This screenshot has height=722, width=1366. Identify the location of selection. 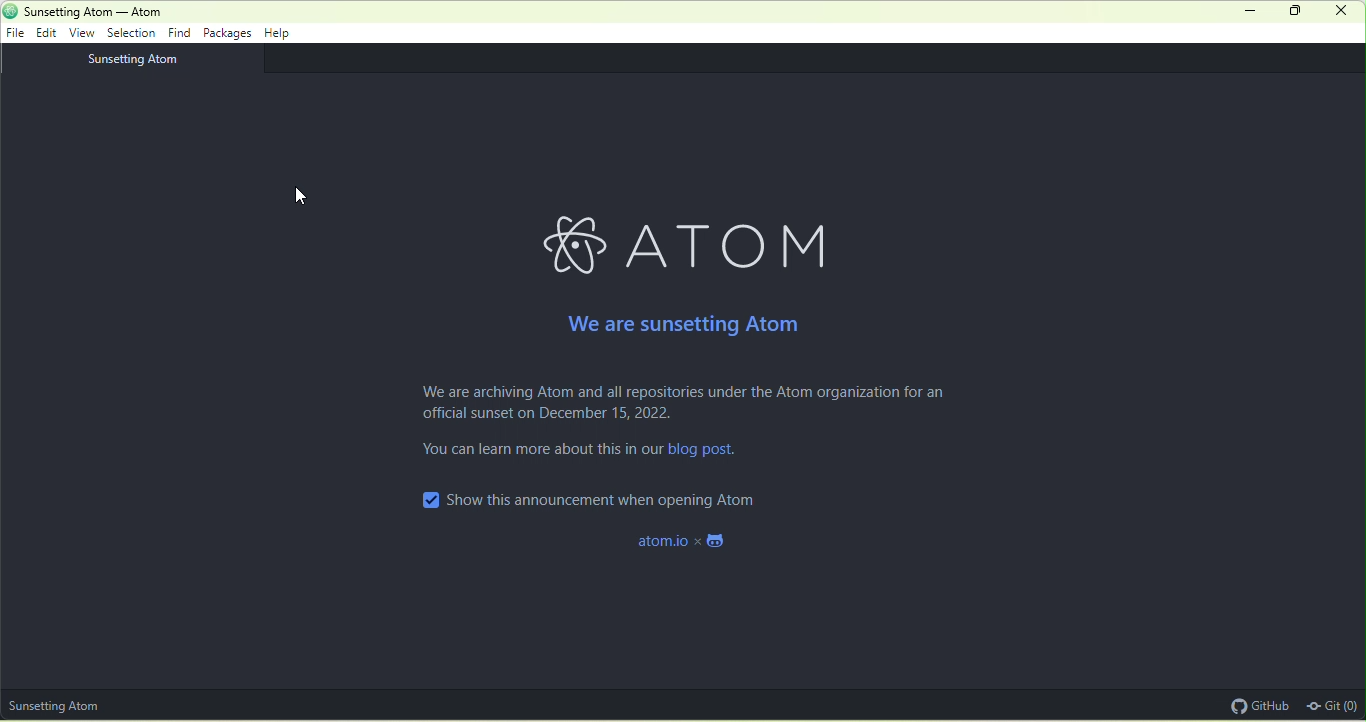
(134, 32).